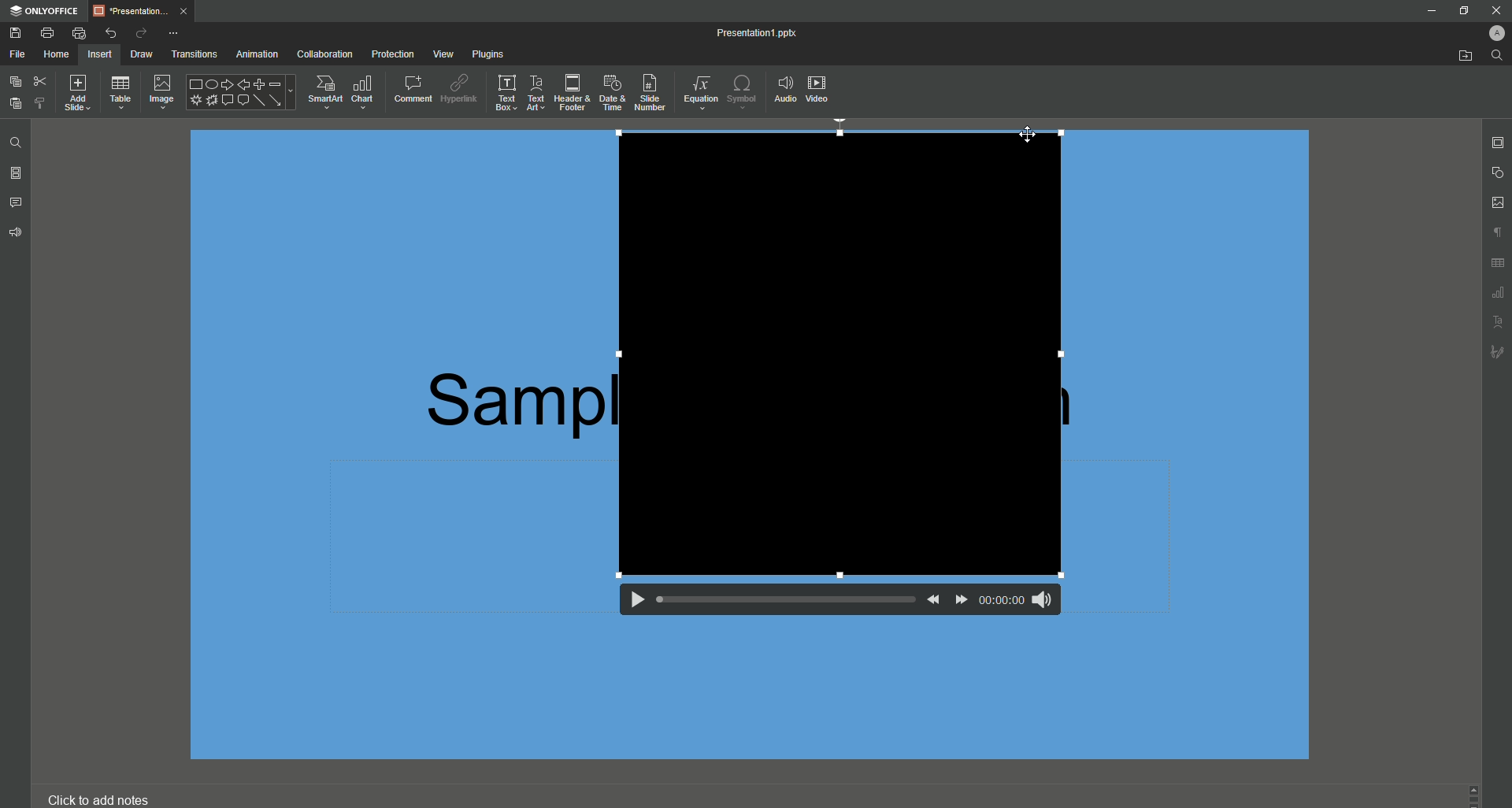  What do you see at coordinates (744, 35) in the screenshot?
I see `Presentation1` at bounding box center [744, 35].